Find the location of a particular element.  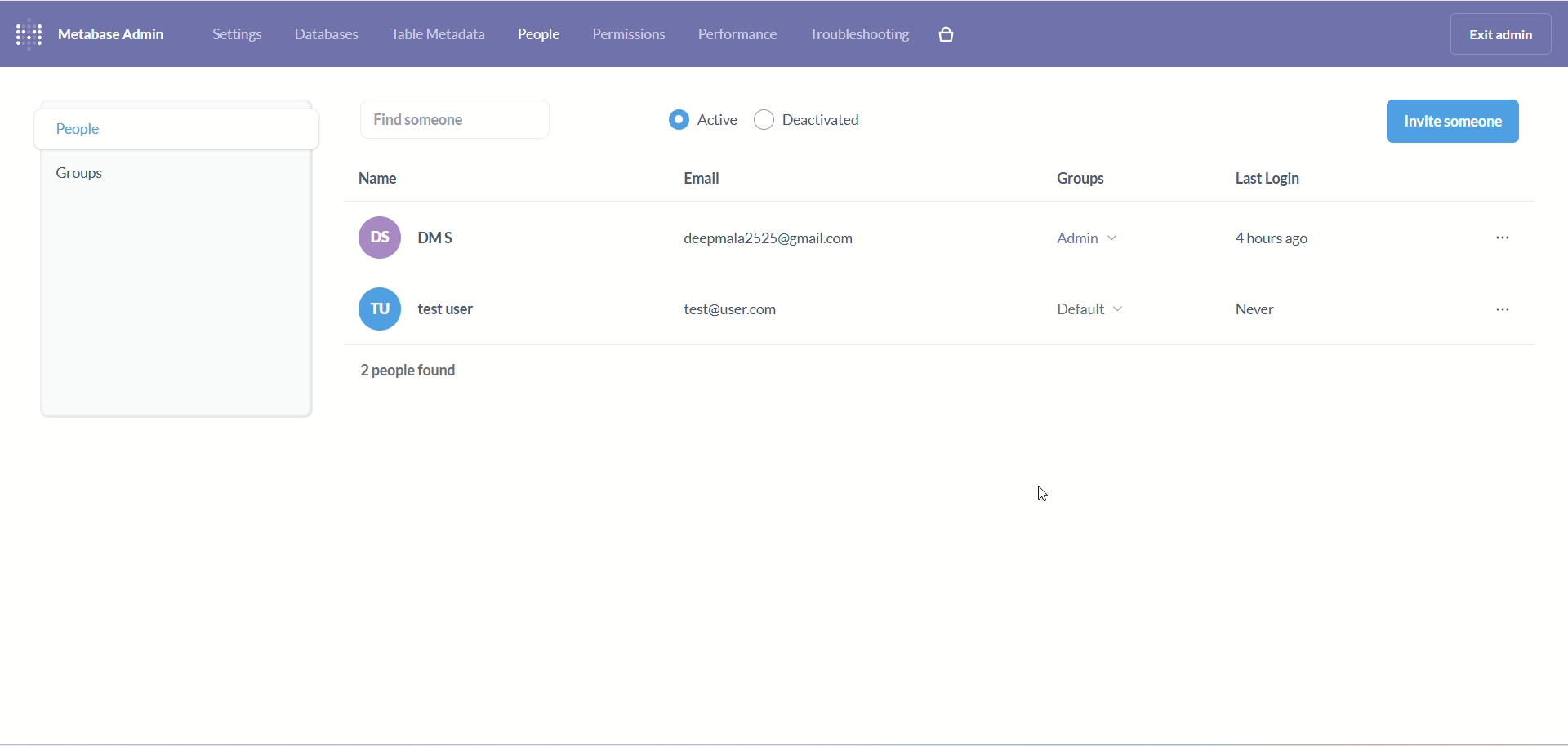

cursor is located at coordinates (1037, 495).